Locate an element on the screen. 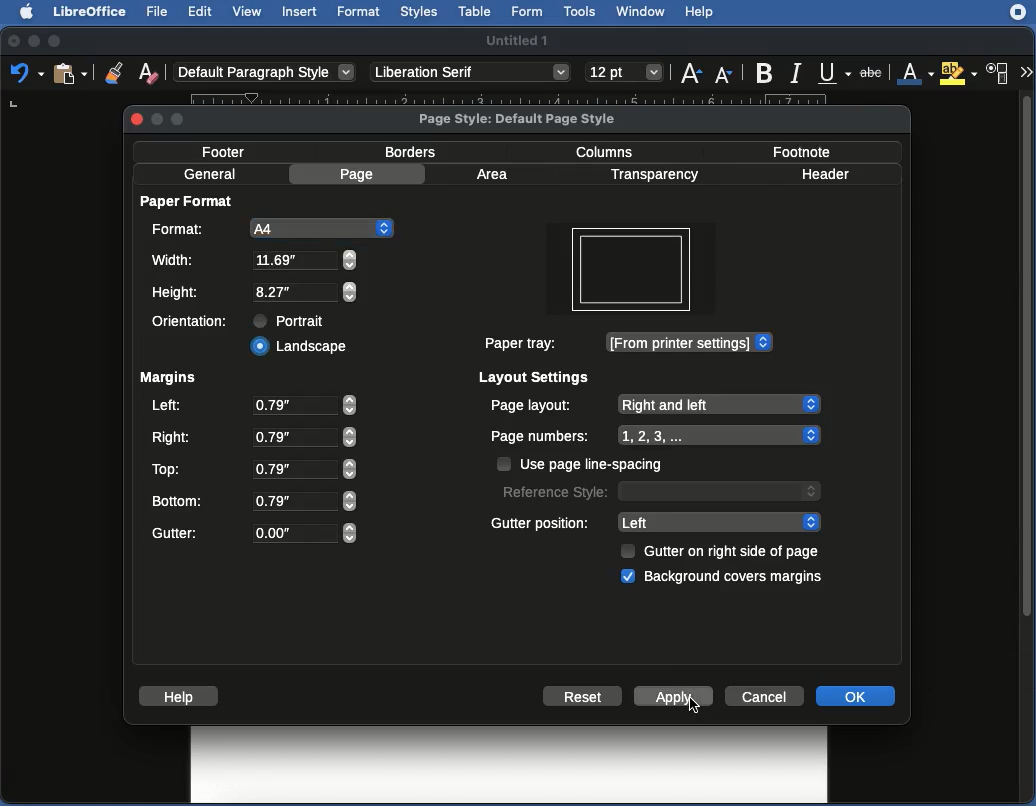 The height and width of the screenshot is (806, 1036). Margins is located at coordinates (170, 380).